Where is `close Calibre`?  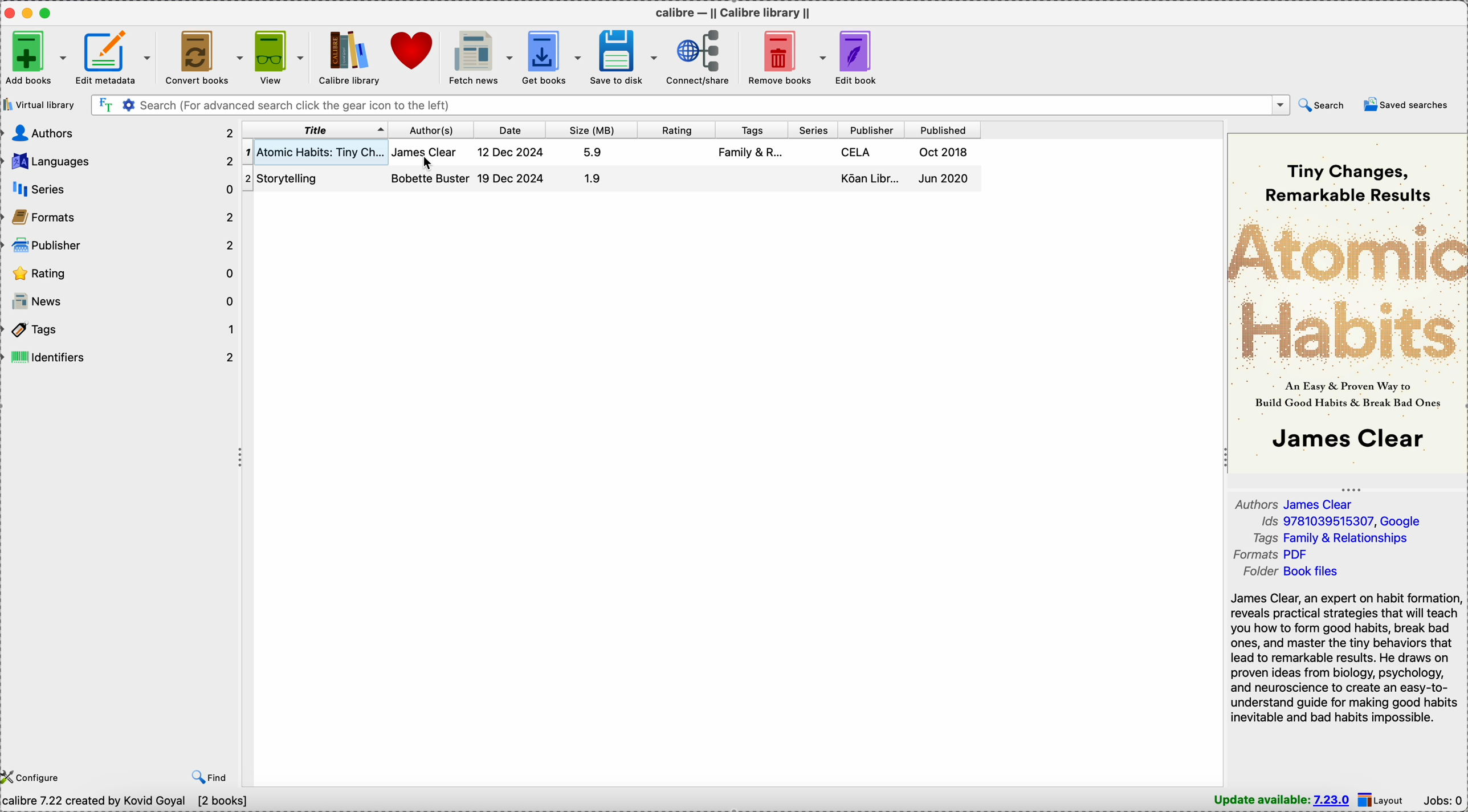
close Calibre is located at coordinates (9, 12).